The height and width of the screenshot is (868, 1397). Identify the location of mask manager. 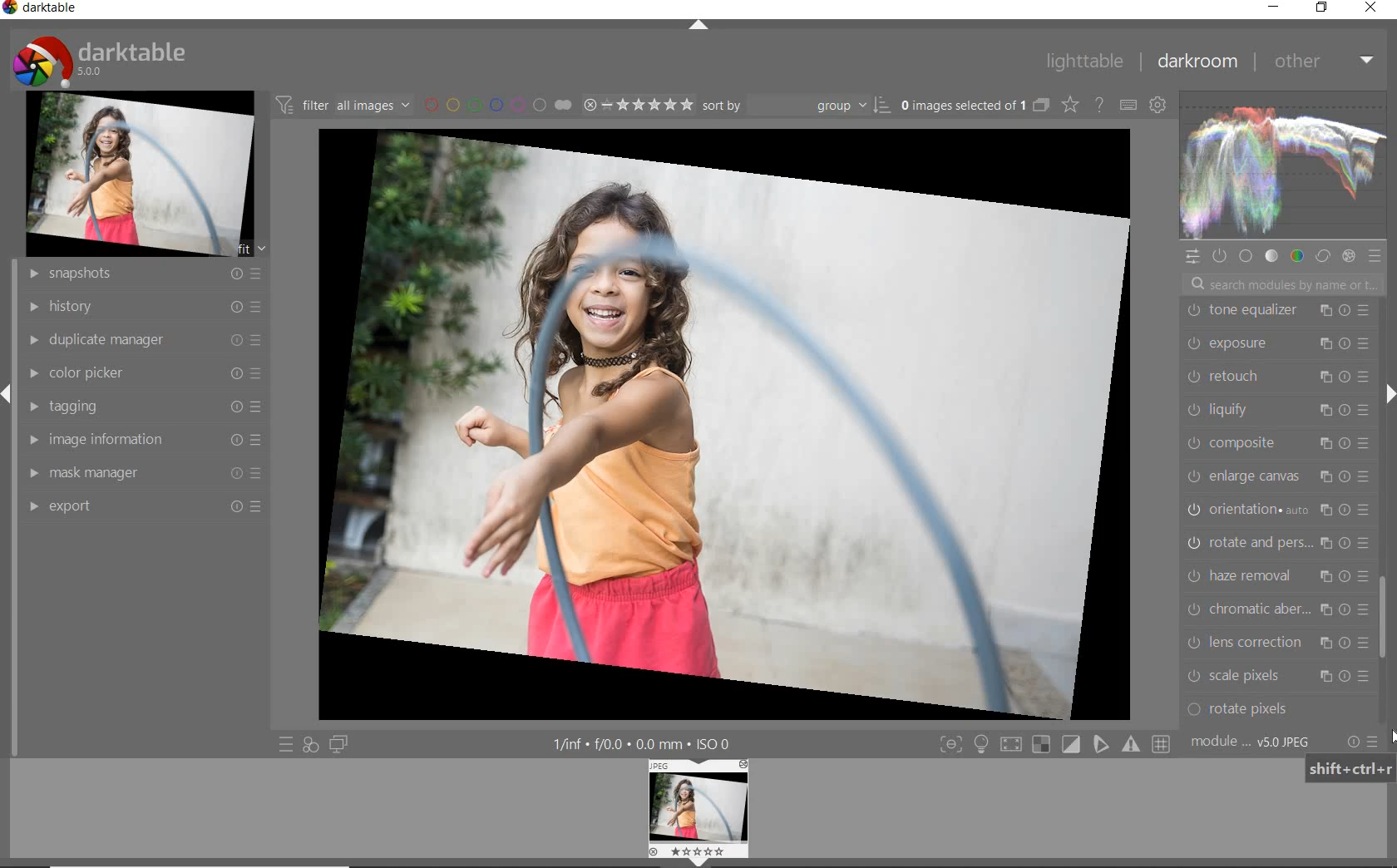
(142, 474).